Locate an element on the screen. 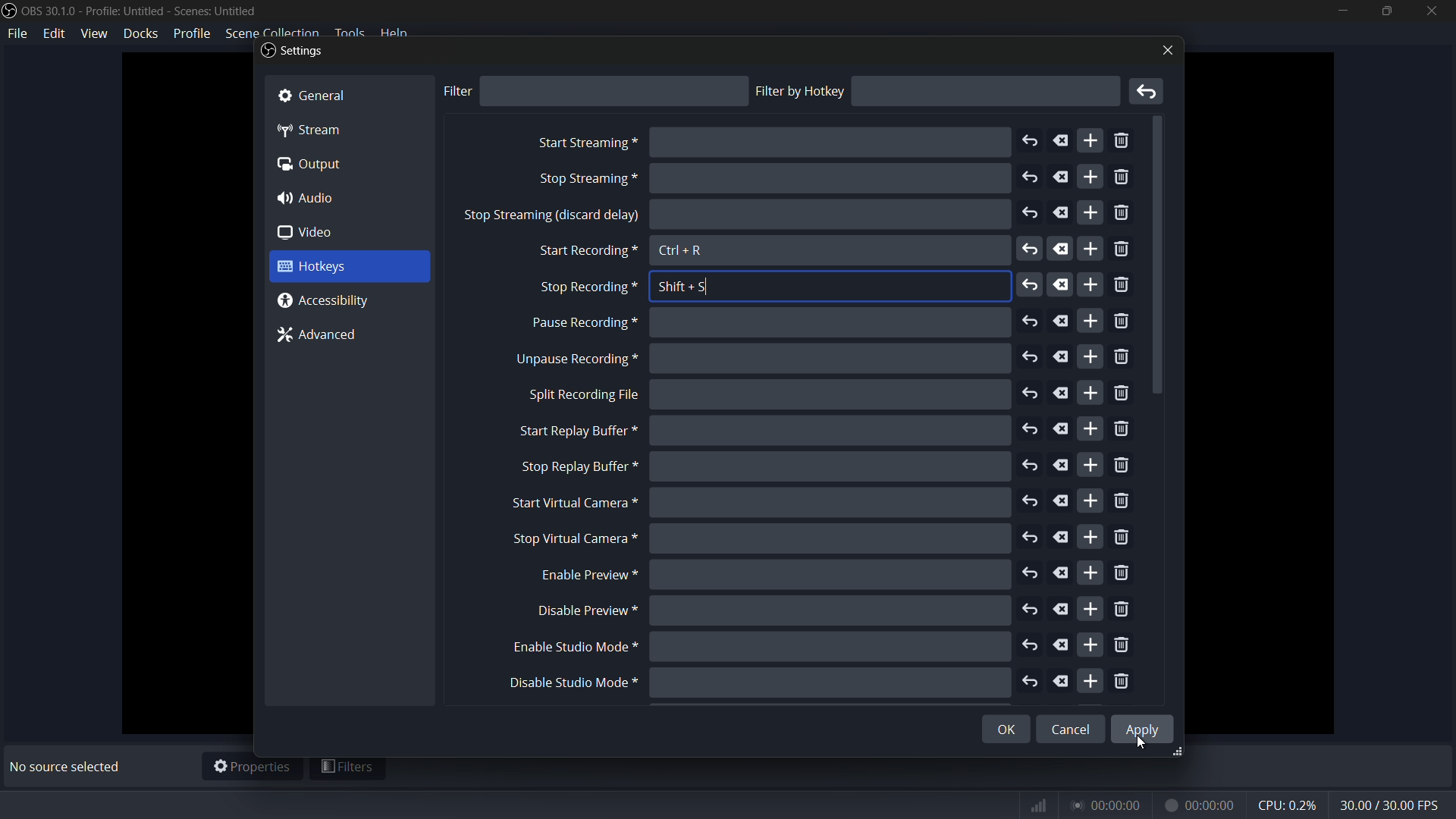 This screenshot has width=1456, height=819. undo is located at coordinates (1031, 322).